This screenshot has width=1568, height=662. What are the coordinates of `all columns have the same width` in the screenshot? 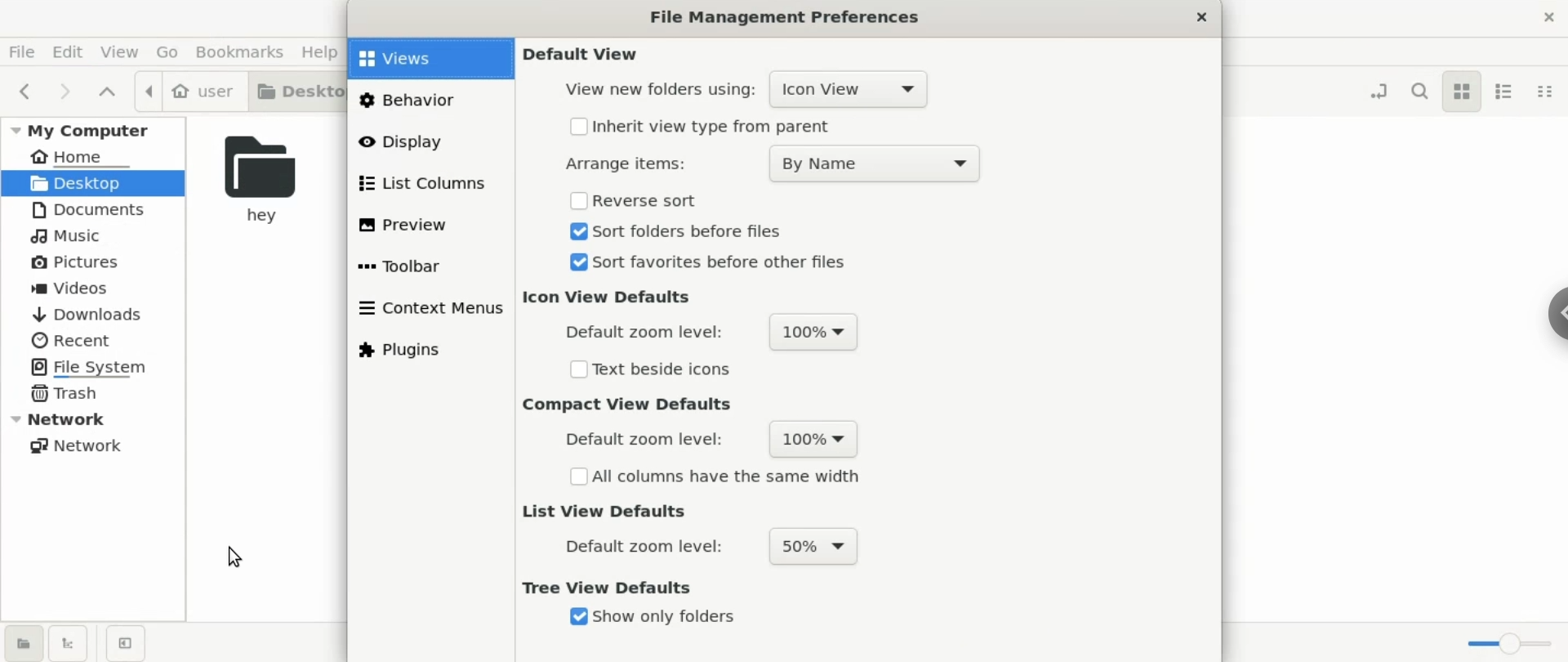 It's located at (717, 476).